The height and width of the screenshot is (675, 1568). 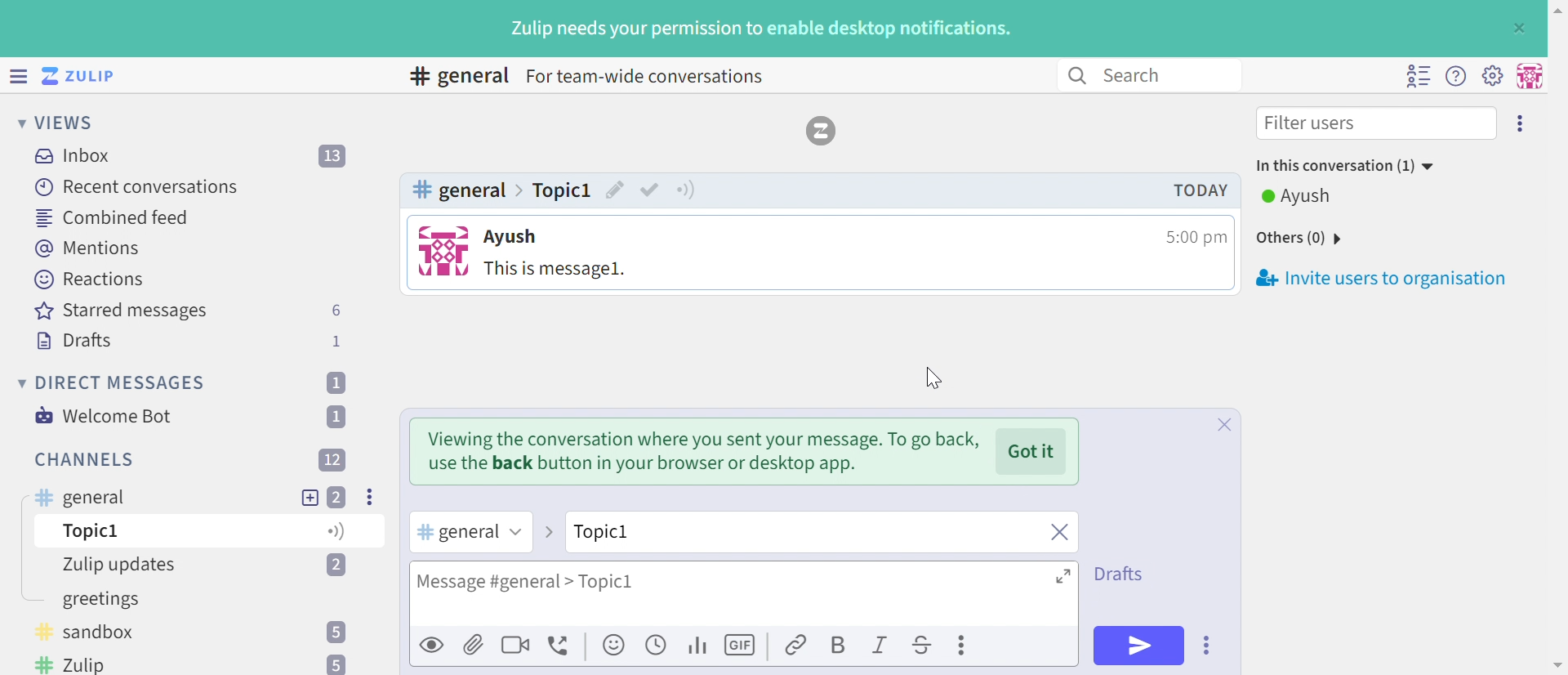 I want to click on Send options, so click(x=1208, y=646).